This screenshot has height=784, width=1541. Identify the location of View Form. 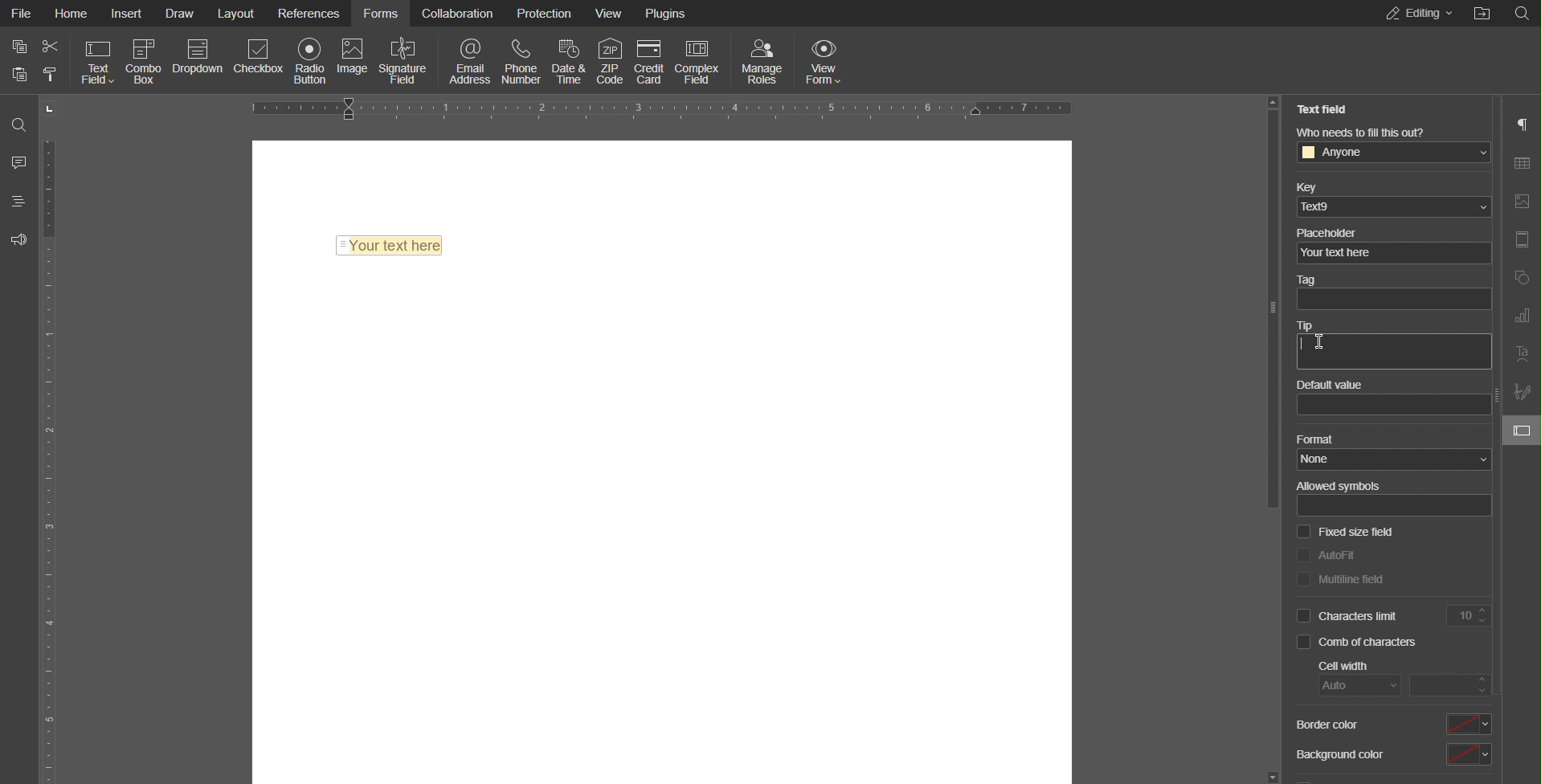
(825, 59).